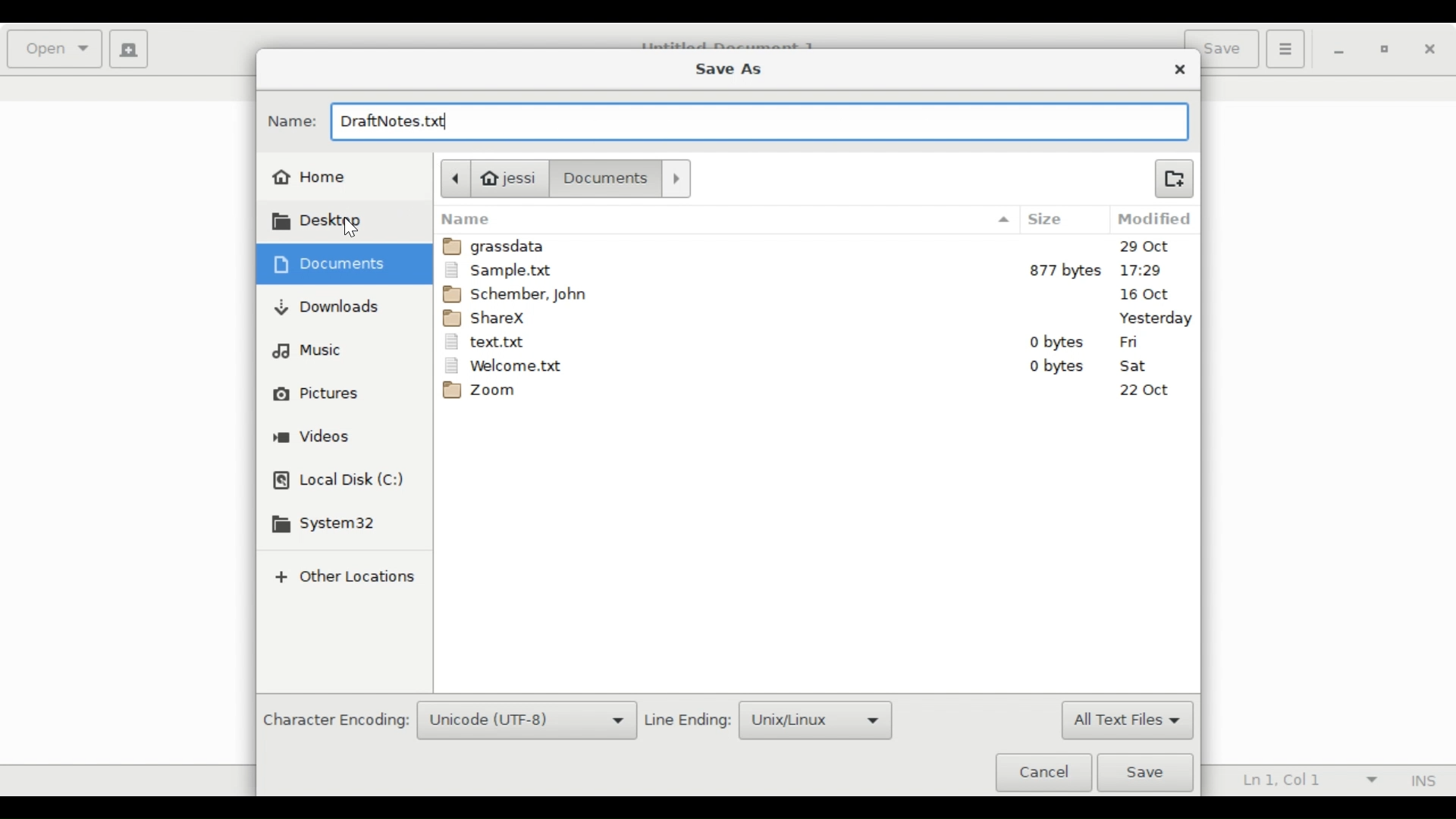 The height and width of the screenshot is (819, 1456). What do you see at coordinates (818, 246) in the screenshot?
I see `grassdata 29 Oct` at bounding box center [818, 246].